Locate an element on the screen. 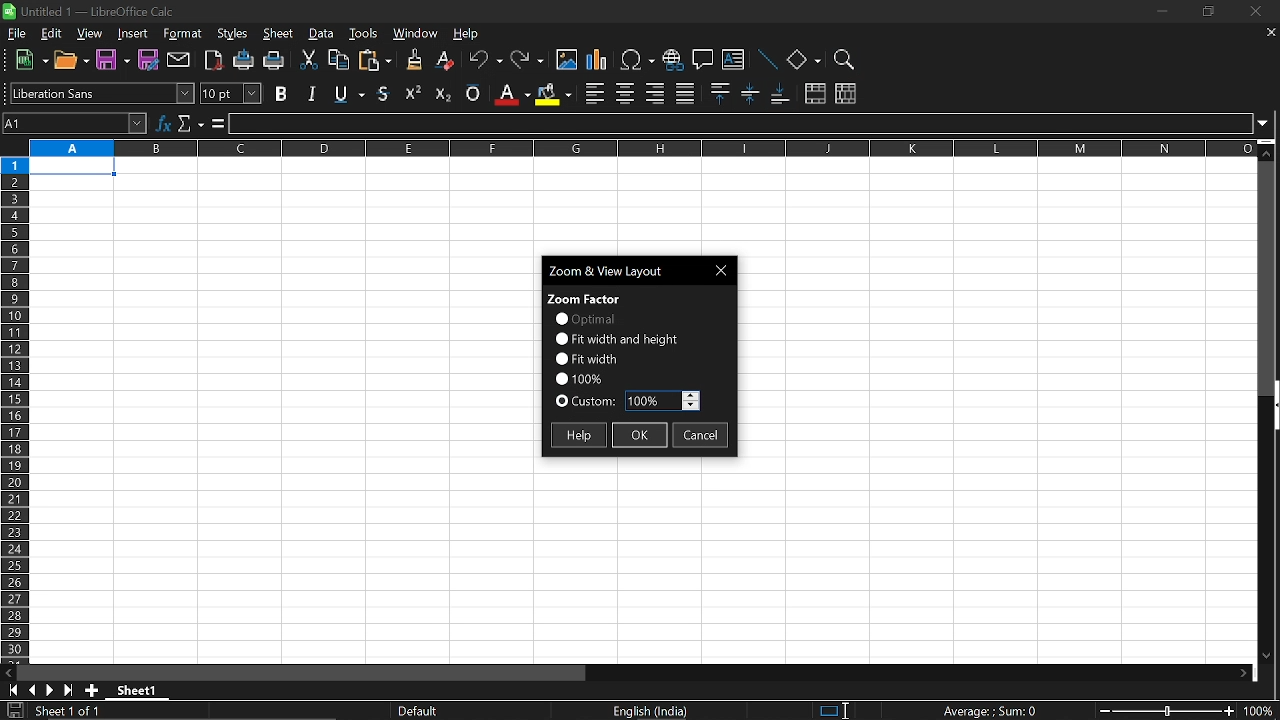  align top is located at coordinates (718, 93).